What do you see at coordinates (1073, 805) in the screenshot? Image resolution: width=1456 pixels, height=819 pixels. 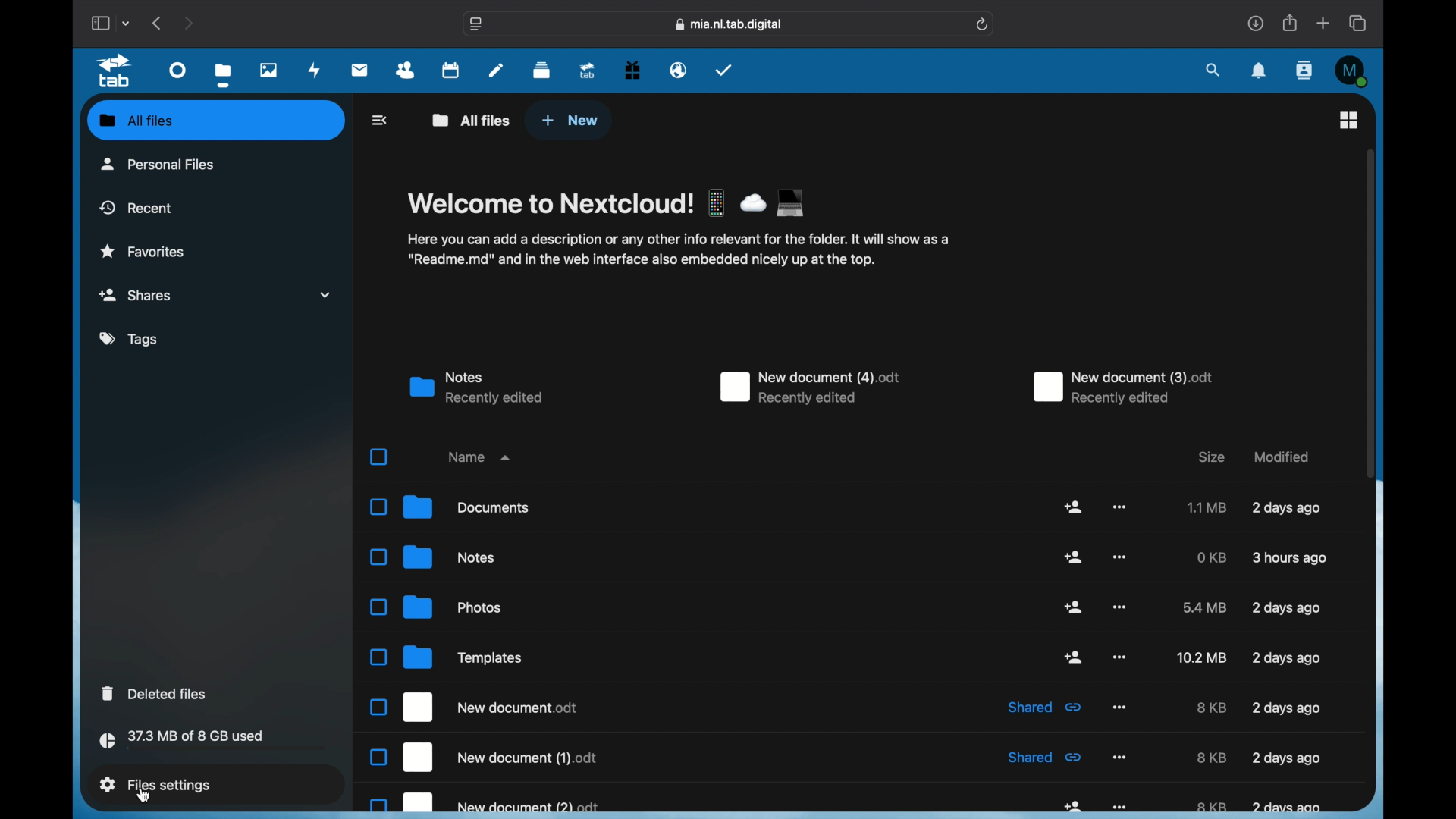 I see `shared` at bounding box center [1073, 805].